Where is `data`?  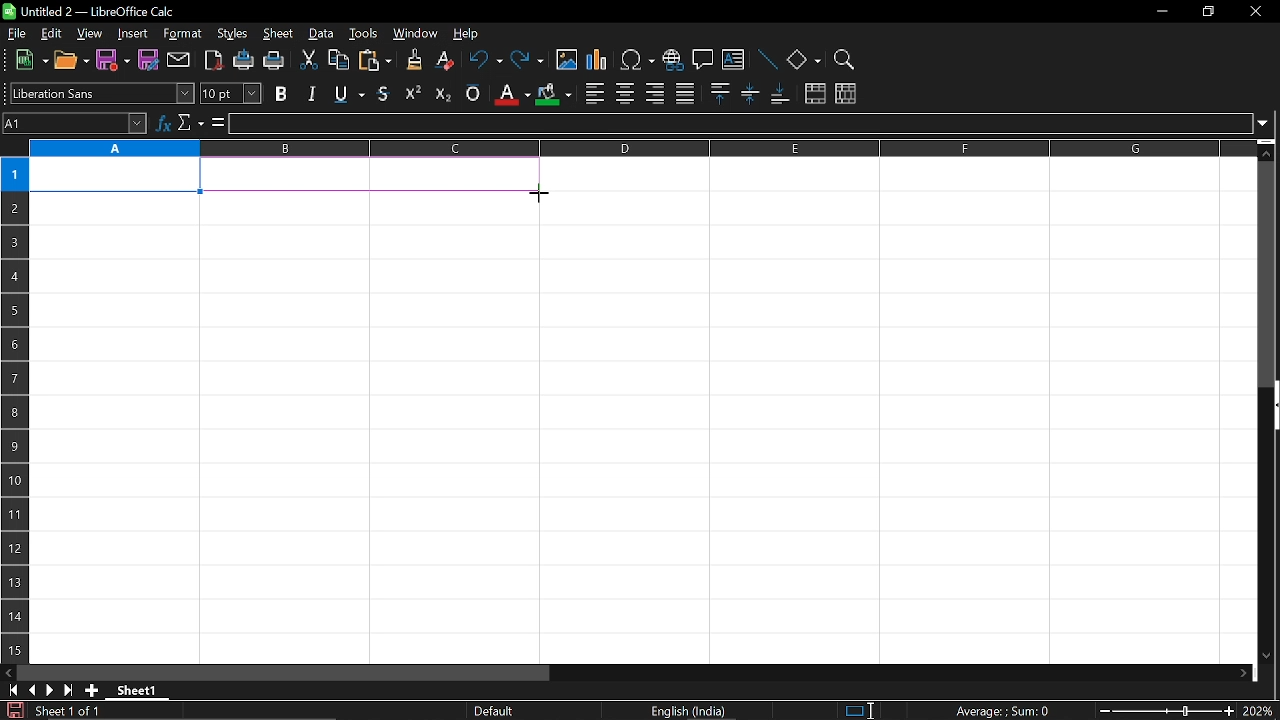
data is located at coordinates (322, 35).